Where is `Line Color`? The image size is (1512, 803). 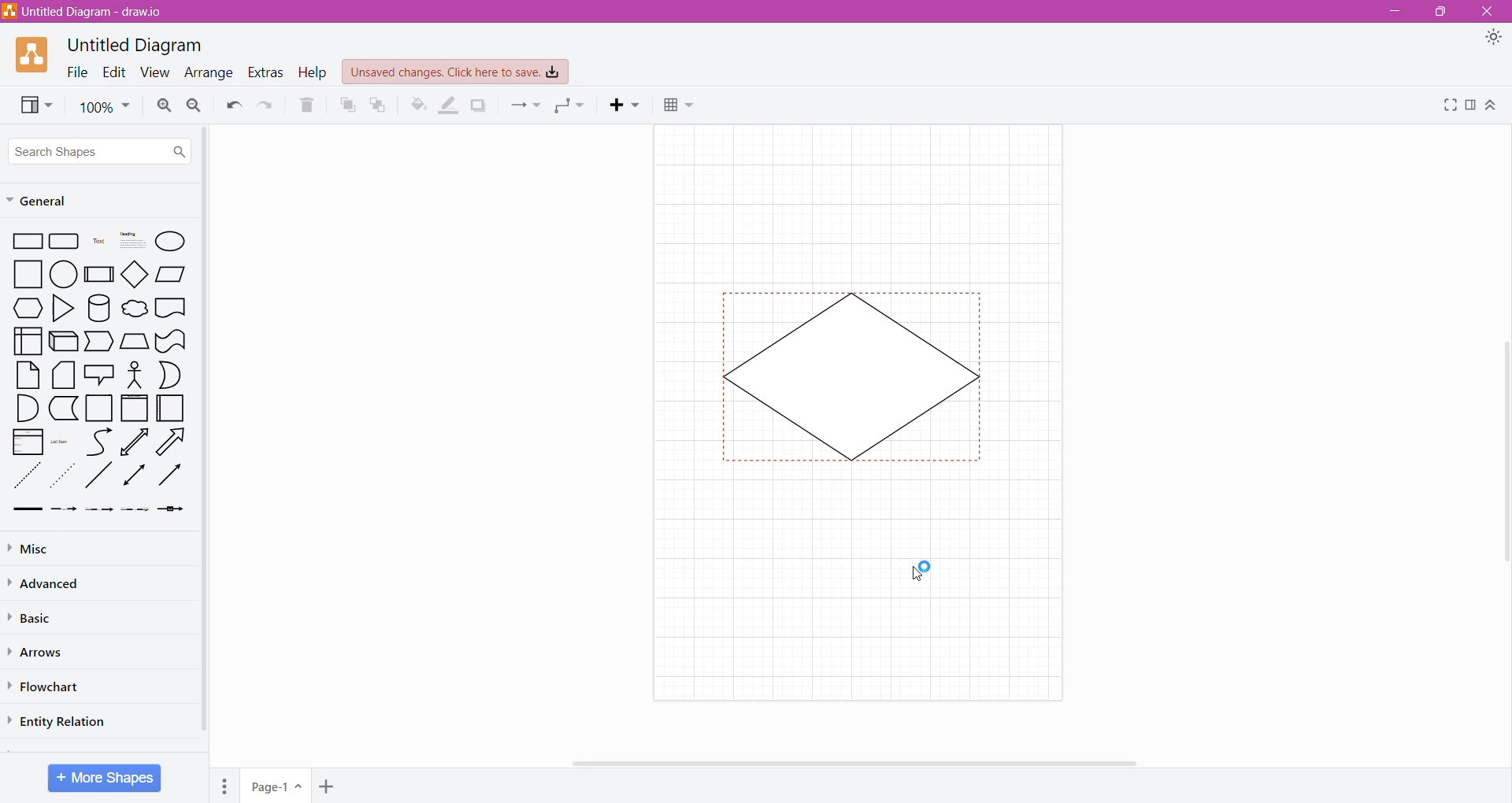 Line Color is located at coordinates (448, 105).